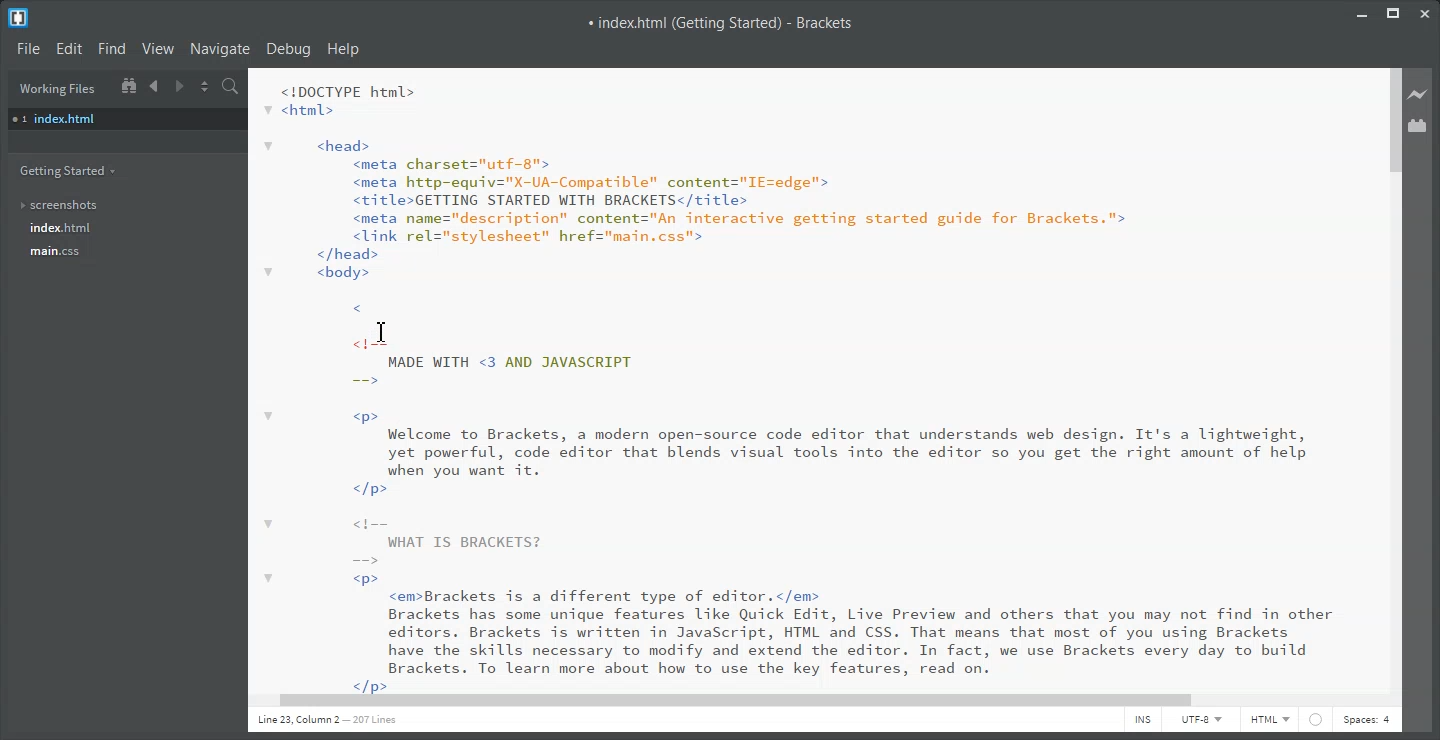 The image size is (1440, 740). Describe the element at coordinates (1394, 13) in the screenshot. I see `Maximize` at that location.